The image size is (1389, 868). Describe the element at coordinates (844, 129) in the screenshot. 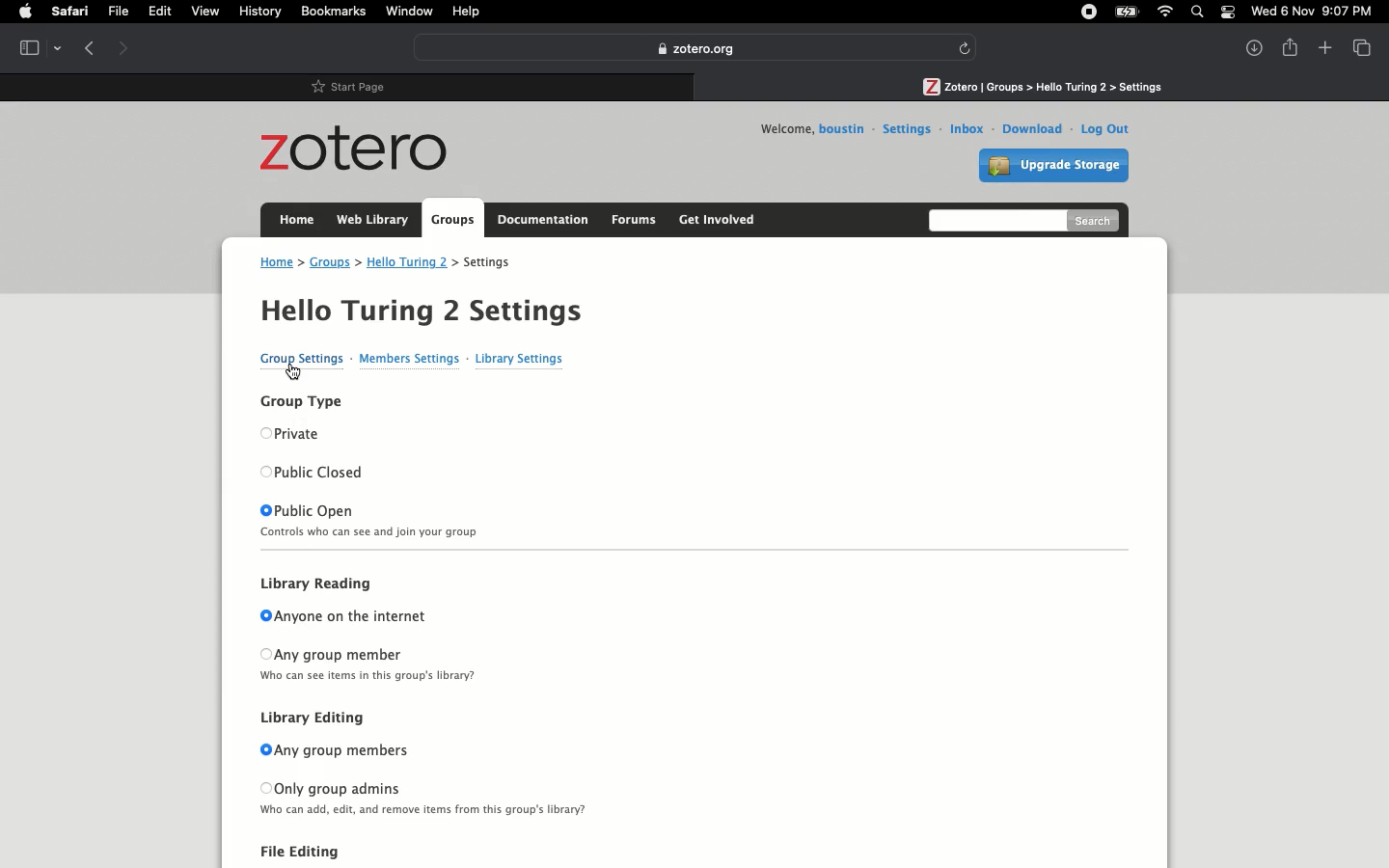

I see `Username` at that location.